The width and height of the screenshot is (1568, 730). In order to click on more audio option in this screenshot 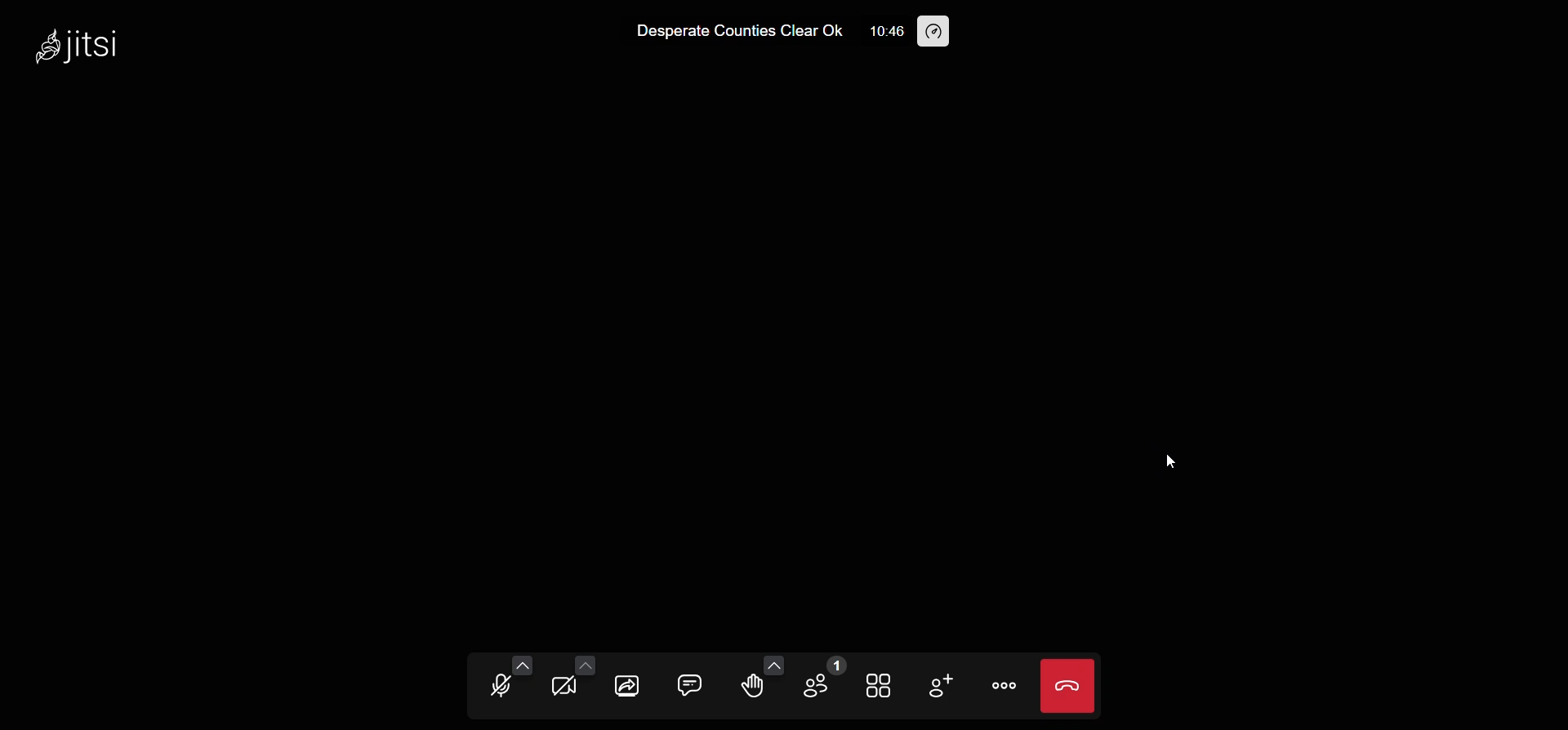, I will do `click(519, 664)`.